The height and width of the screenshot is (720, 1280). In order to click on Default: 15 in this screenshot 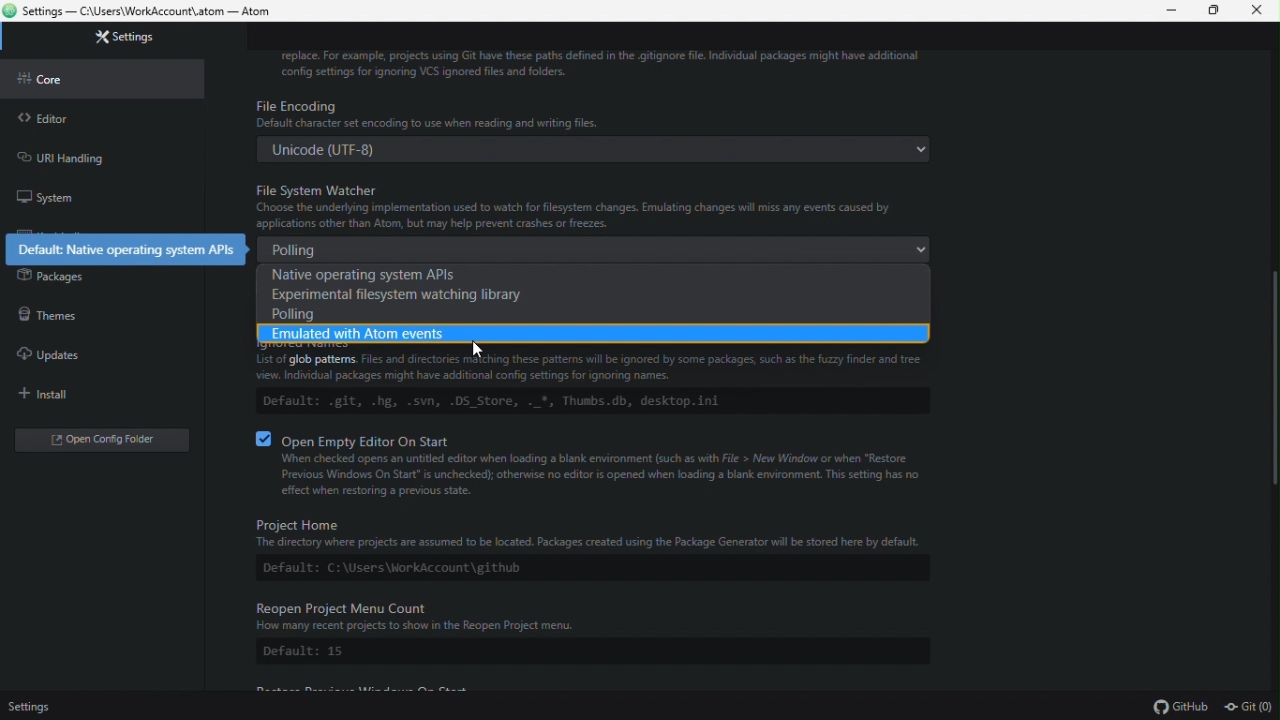, I will do `click(329, 652)`.